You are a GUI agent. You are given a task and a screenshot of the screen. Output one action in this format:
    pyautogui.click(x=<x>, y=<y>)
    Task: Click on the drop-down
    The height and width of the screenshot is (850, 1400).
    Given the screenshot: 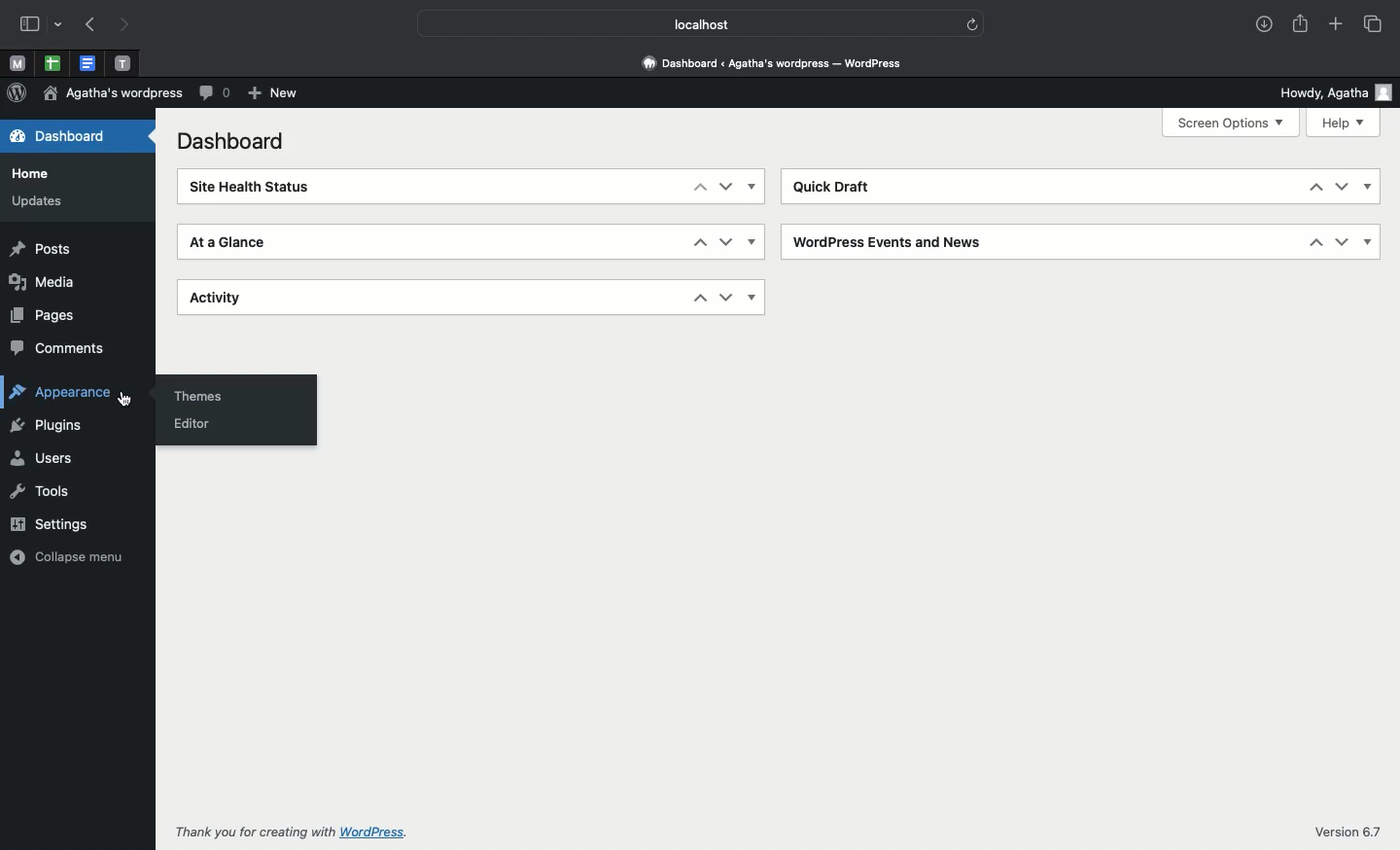 What is the action you would take?
    pyautogui.click(x=61, y=25)
    